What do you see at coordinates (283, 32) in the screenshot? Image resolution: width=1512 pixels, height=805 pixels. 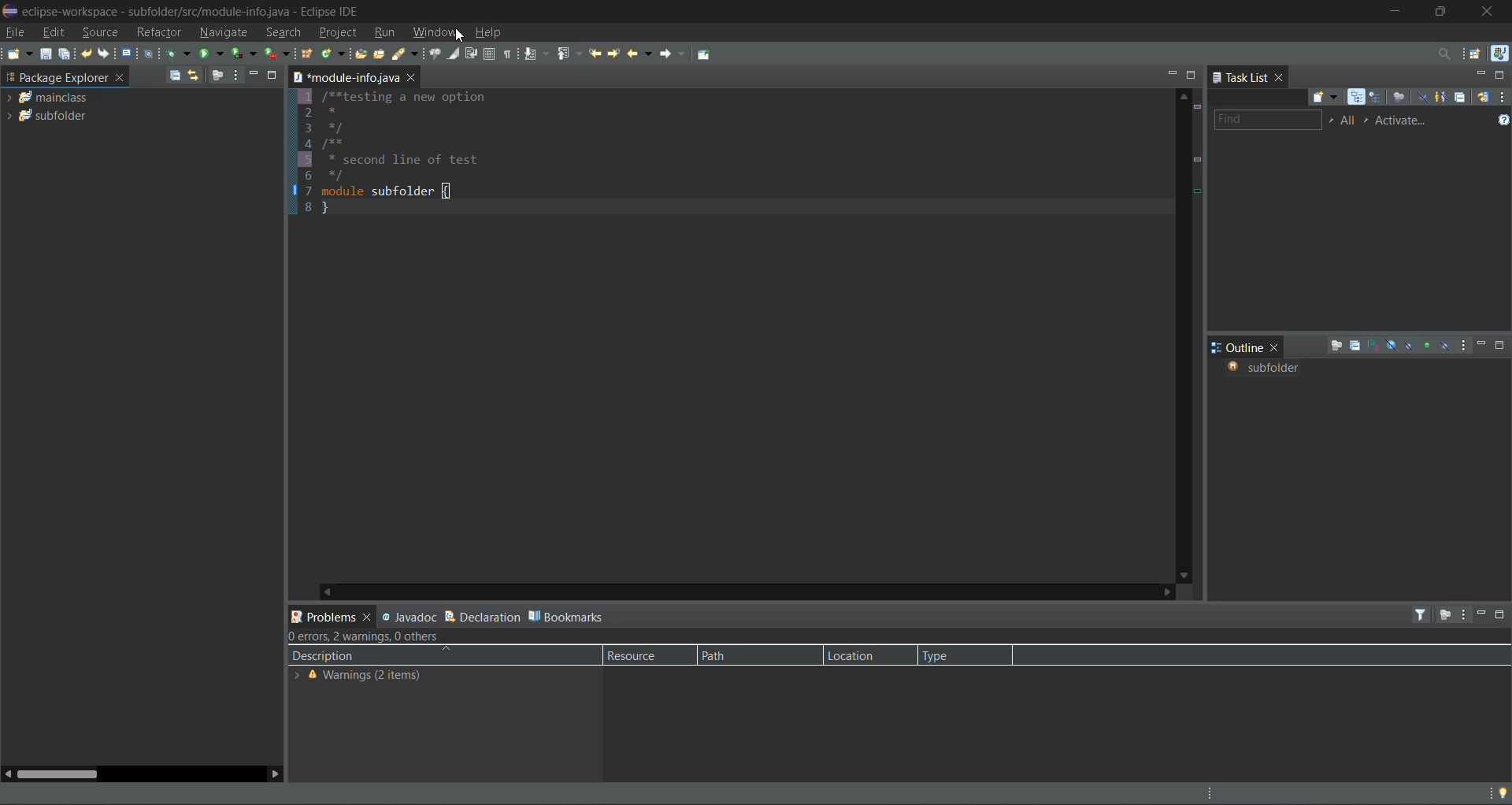 I see `search` at bounding box center [283, 32].